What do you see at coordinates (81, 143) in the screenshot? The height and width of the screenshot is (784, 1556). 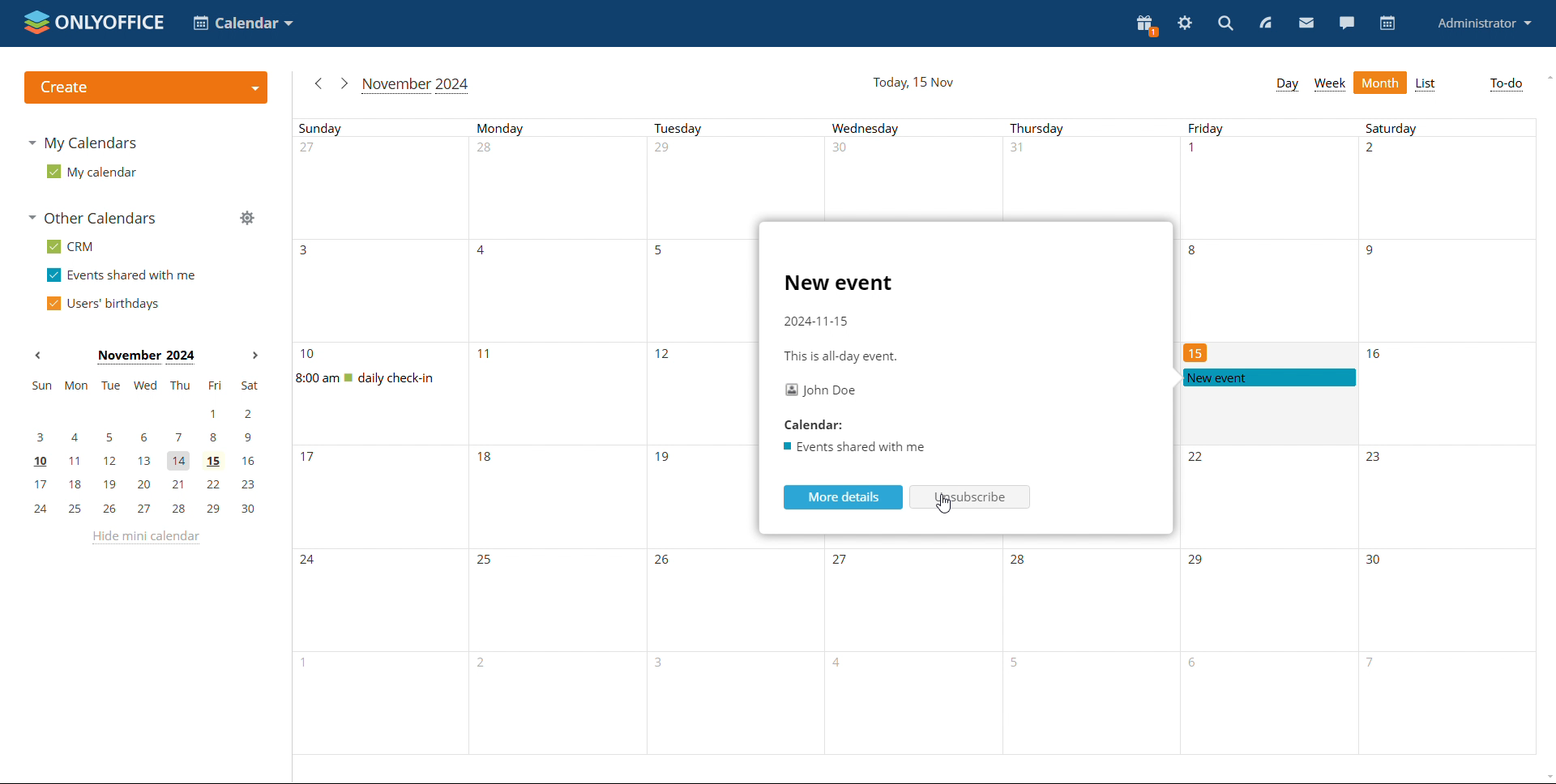 I see `my calendars` at bounding box center [81, 143].